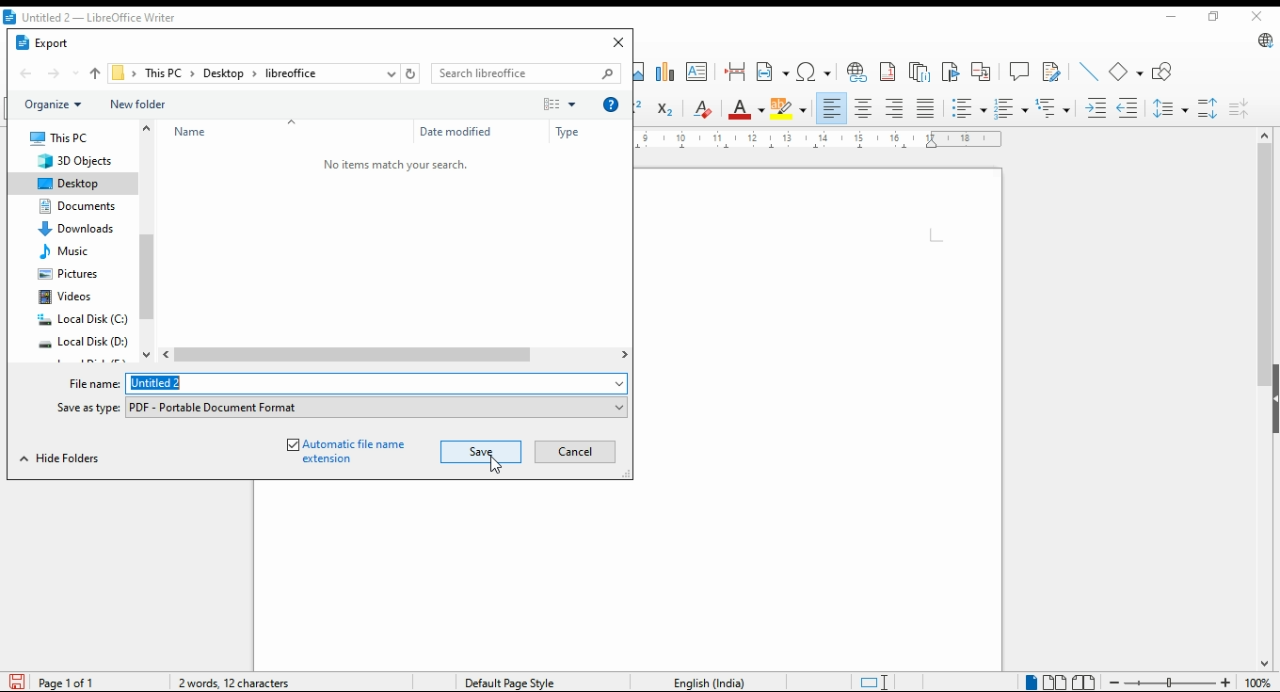 This screenshot has height=692, width=1280. Describe the element at coordinates (697, 72) in the screenshot. I see `insert text box` at that location.